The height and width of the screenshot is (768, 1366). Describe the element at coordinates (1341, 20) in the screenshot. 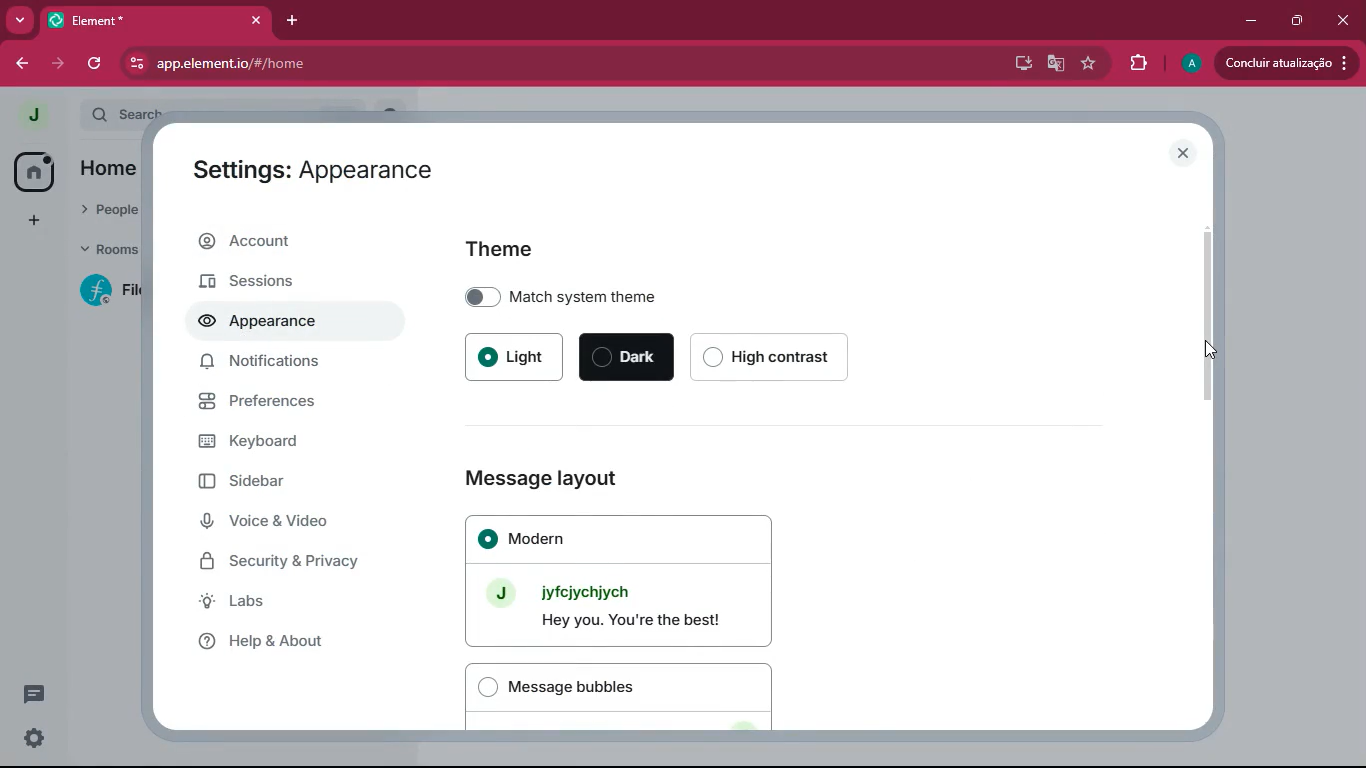

I see `close` at that location.